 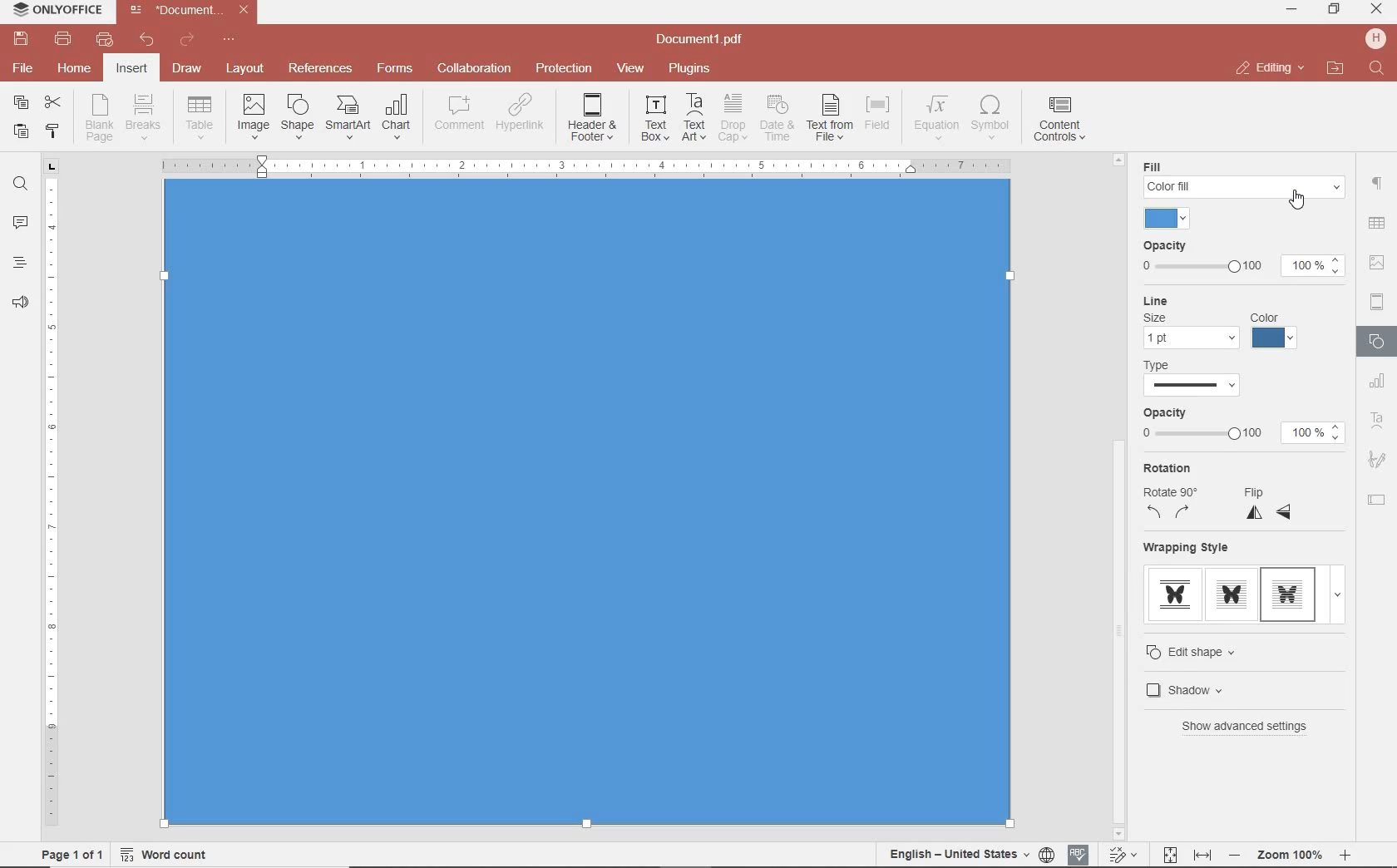 What do you see at coordinates (693, 69) in the screenshot?
I see `plugins` at bounding box center [693, 69].